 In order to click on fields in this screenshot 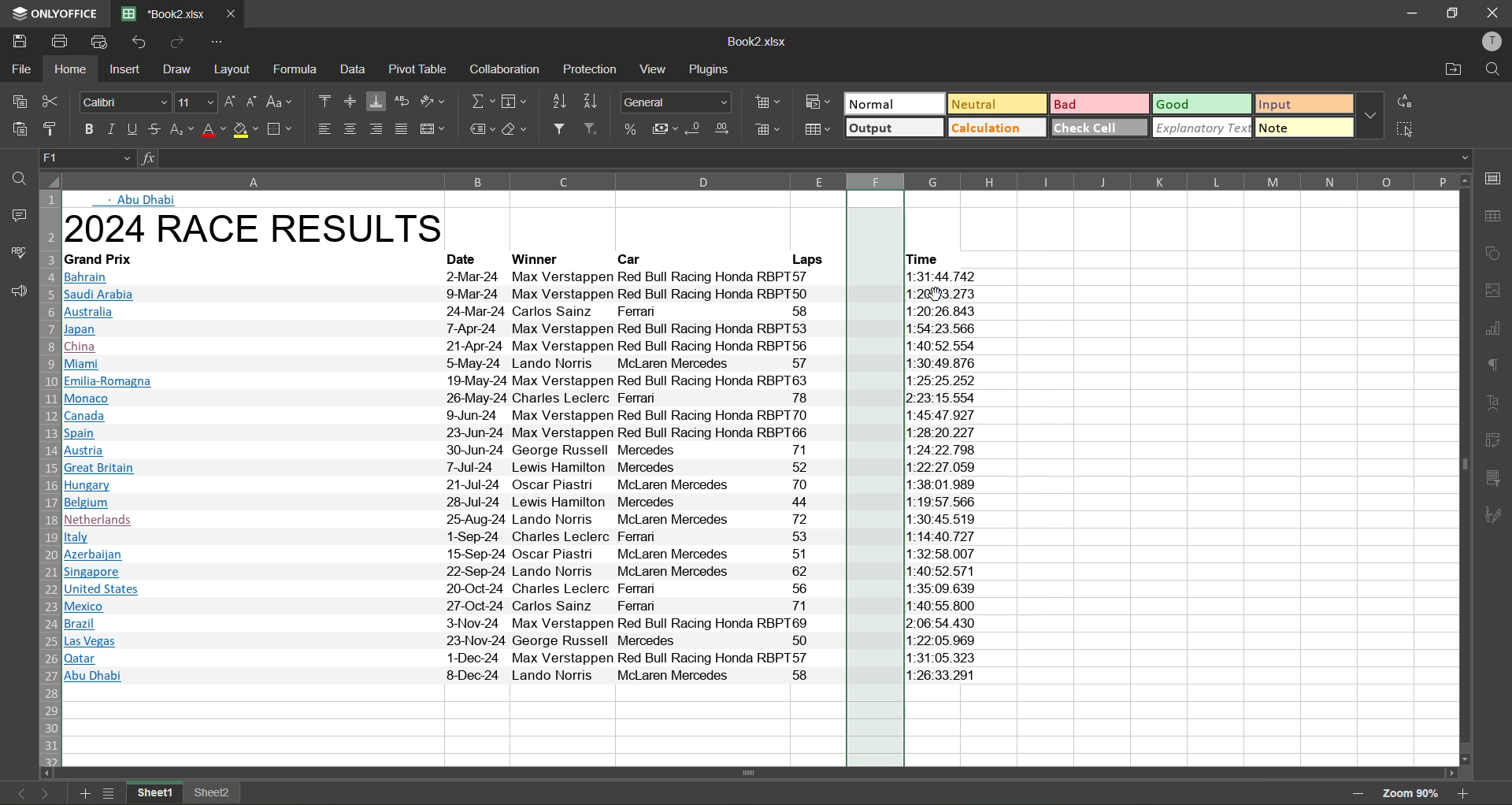, I will do `click(517, 101)`.